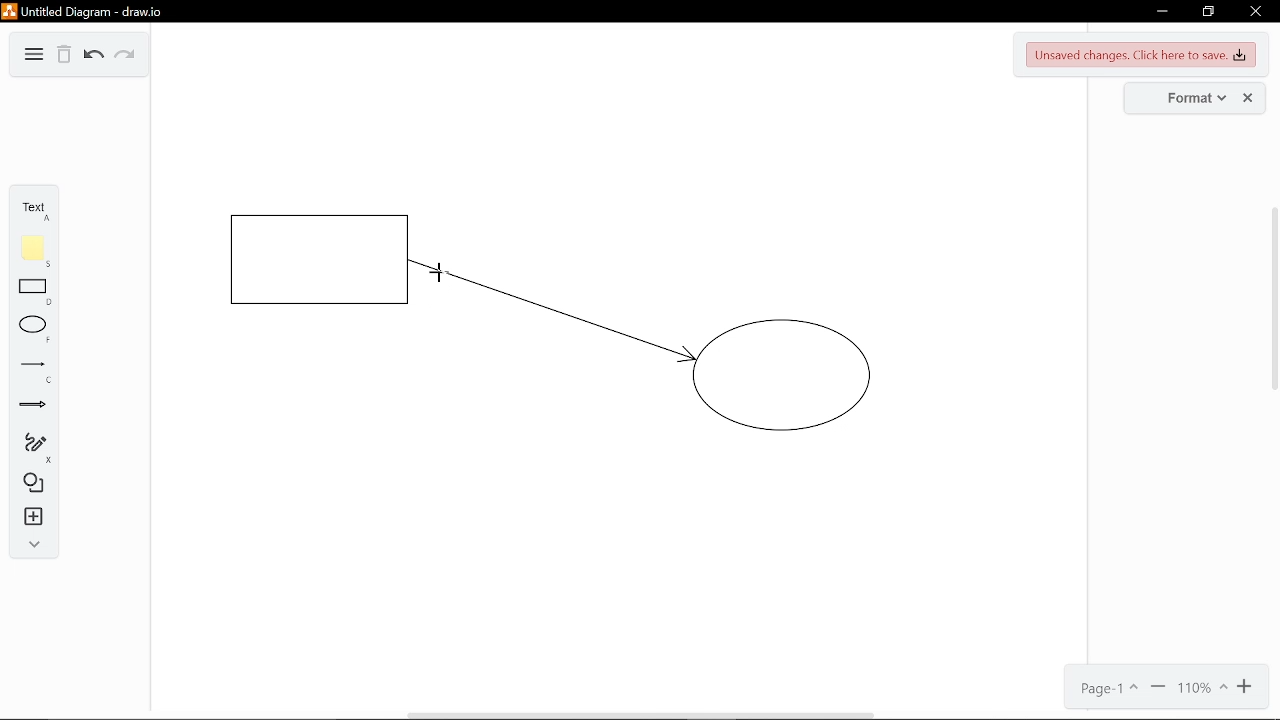  What do you see at coordinates (30, 518) in the screenshot?
I see `Instert` at bounding box center [30, 518].